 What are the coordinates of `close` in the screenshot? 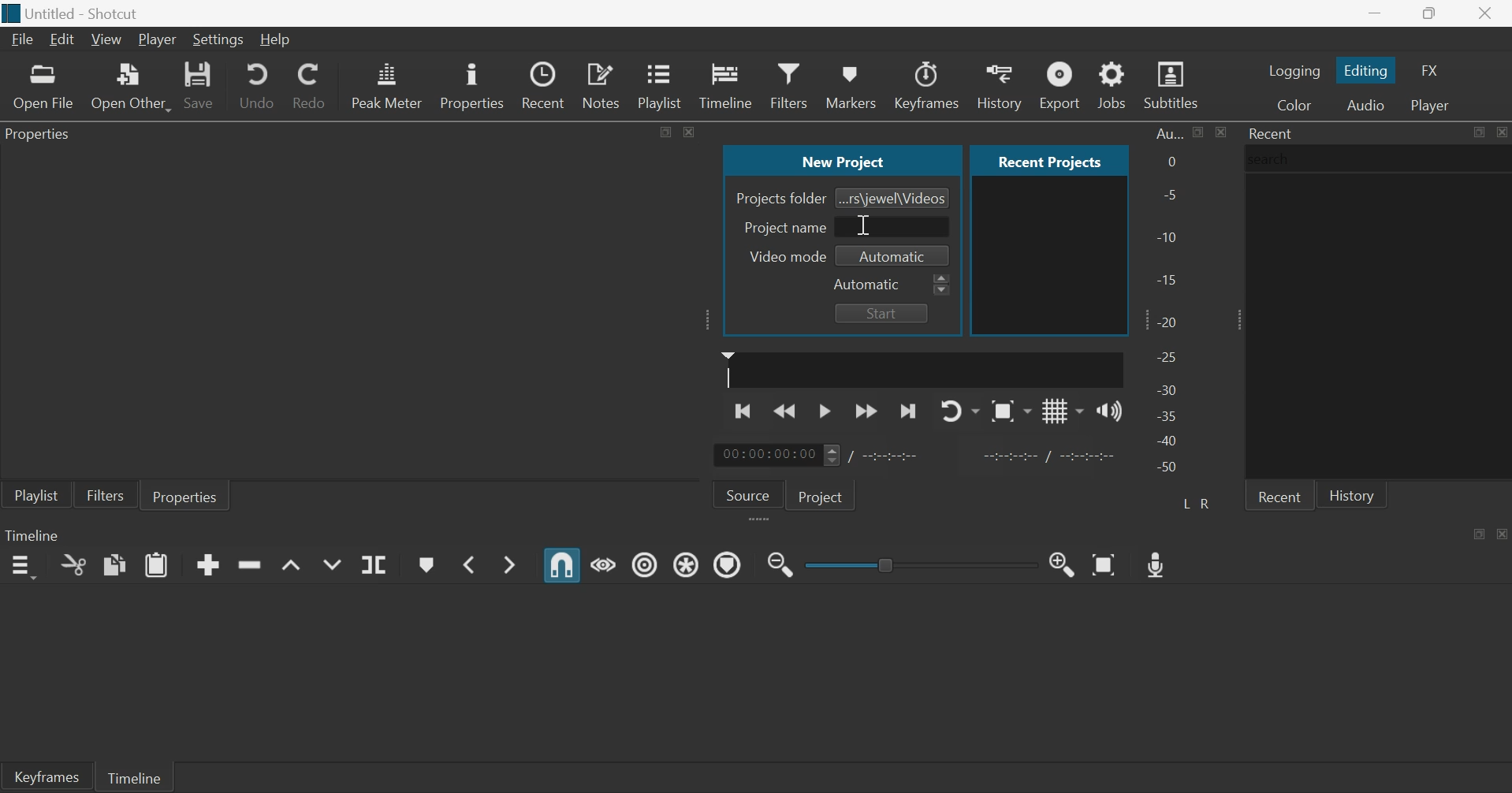 It's located at (689, 131).